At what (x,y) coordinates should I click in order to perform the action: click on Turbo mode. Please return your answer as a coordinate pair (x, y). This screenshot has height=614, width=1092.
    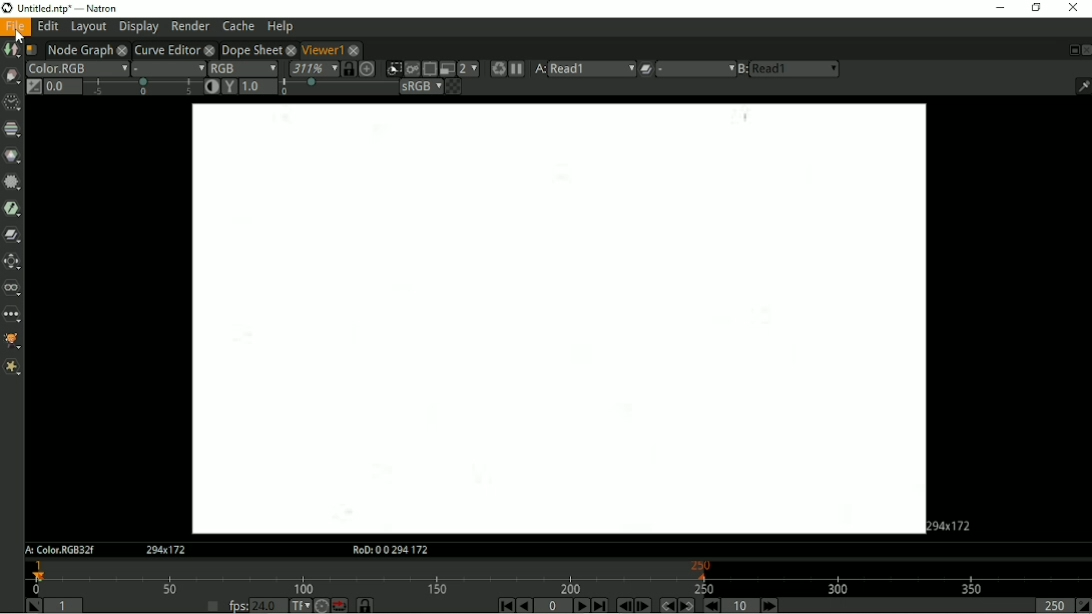
    Looking at the image, I should click on (322, 605).